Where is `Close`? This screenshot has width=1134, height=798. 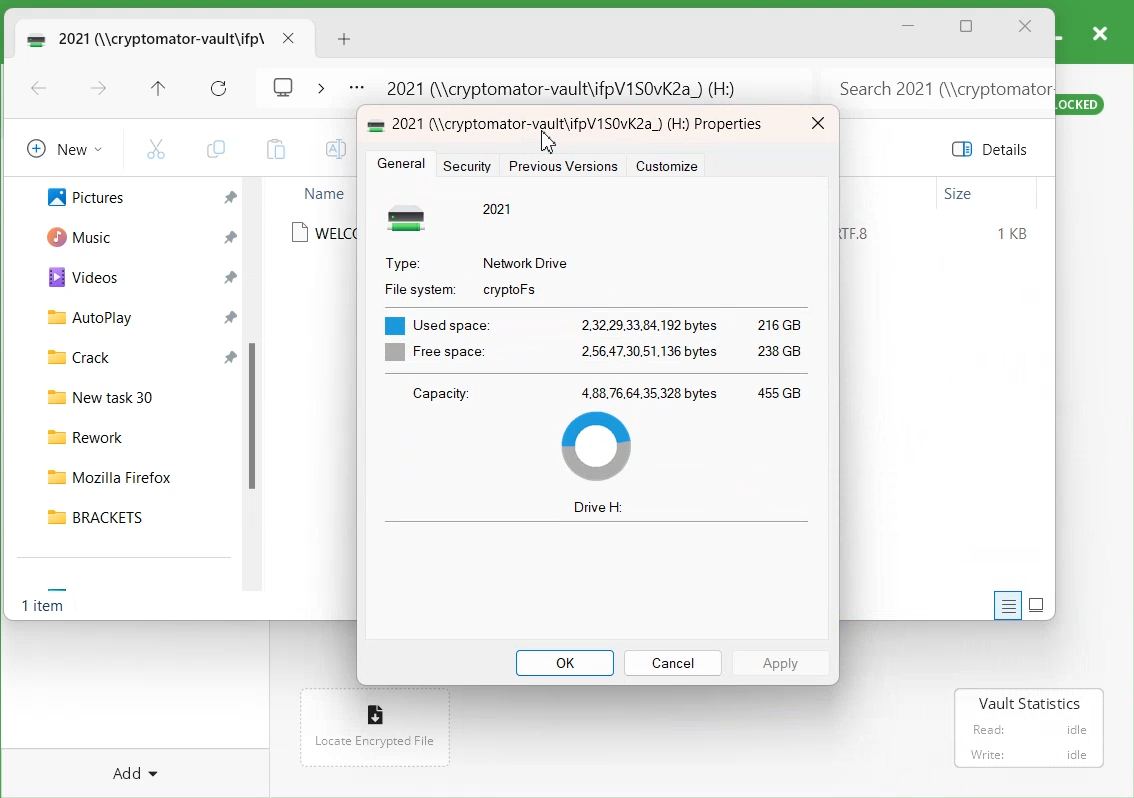
Close is located at coordinates (1025, 27).